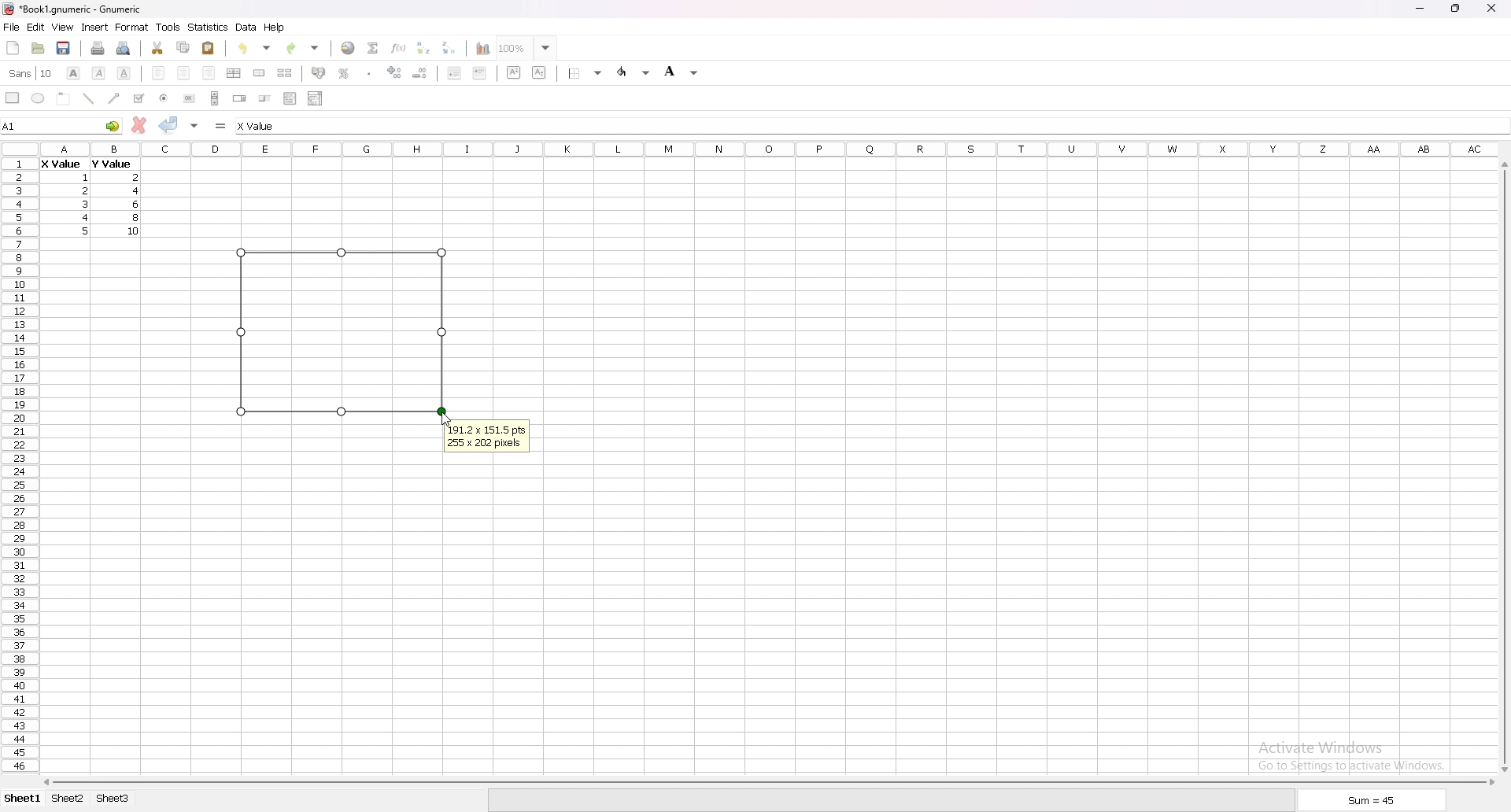 This screenshot has width=1511, height=812. What do you see at coordinates (209, 47) in the screenshot?
I see `paste` at bounding box center [209, 47].